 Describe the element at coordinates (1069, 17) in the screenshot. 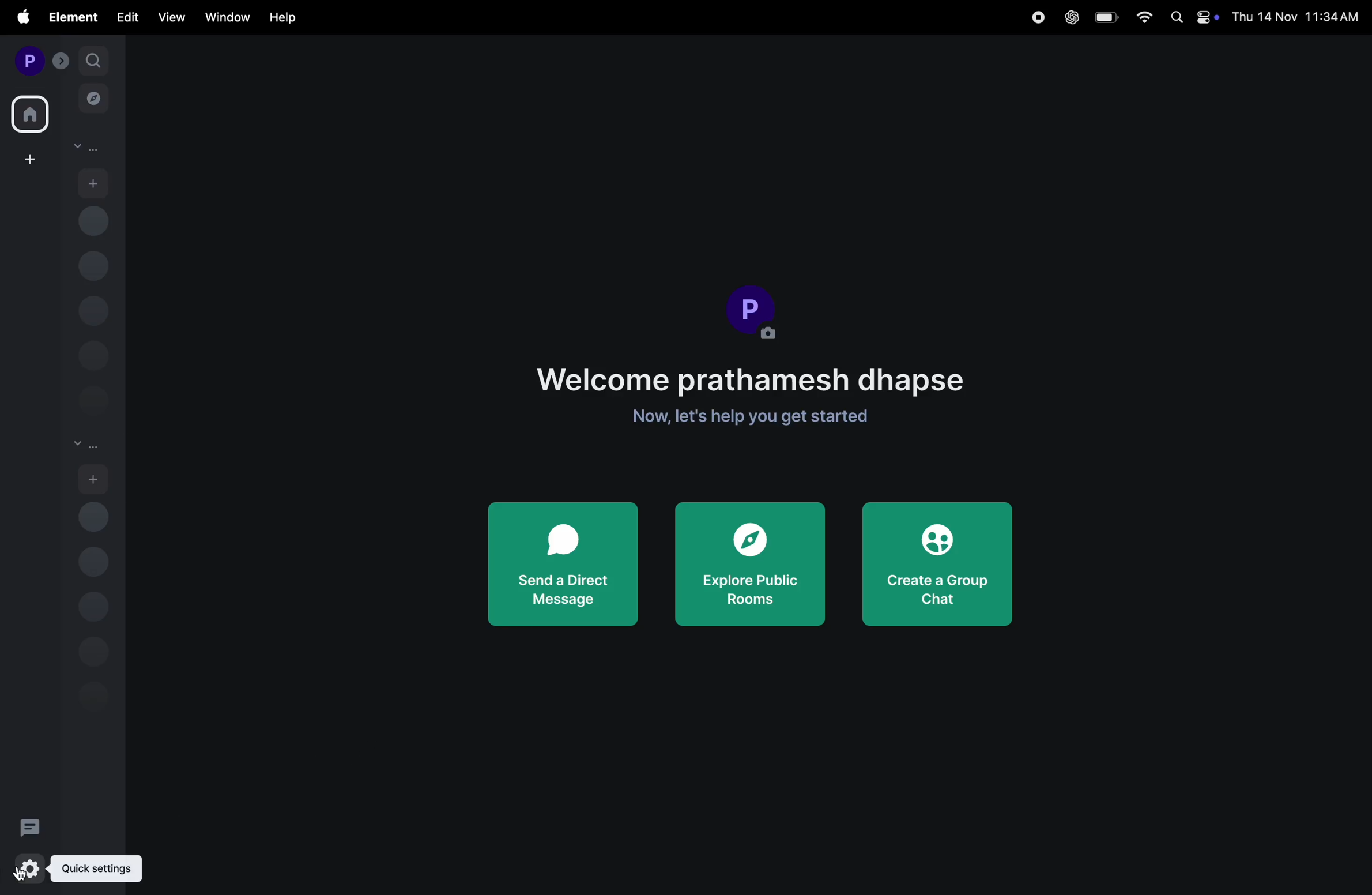

I see `chatgpt` at that location.